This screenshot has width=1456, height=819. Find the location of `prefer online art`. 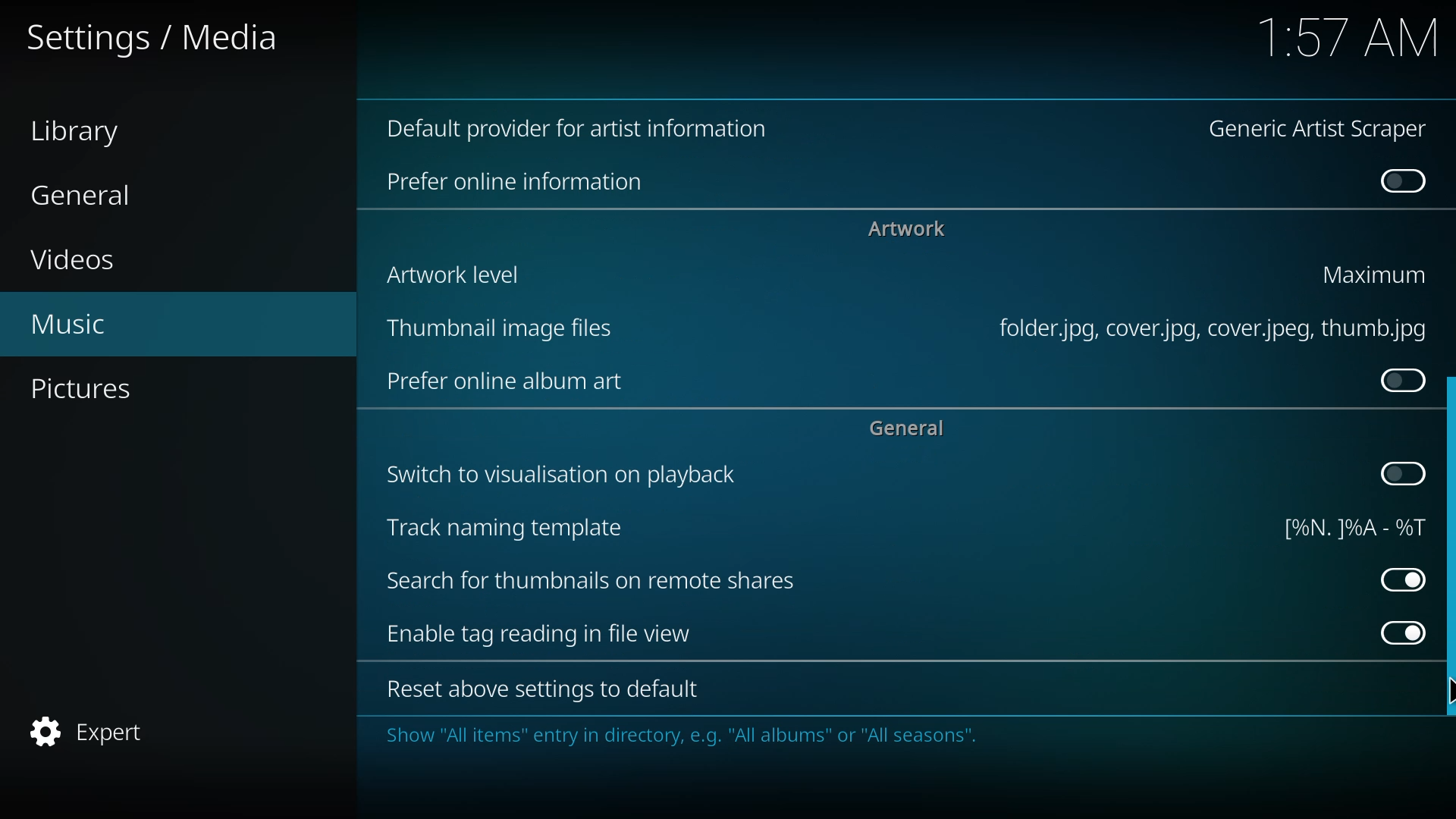

prefer online art is located at coordinates (503, 383).